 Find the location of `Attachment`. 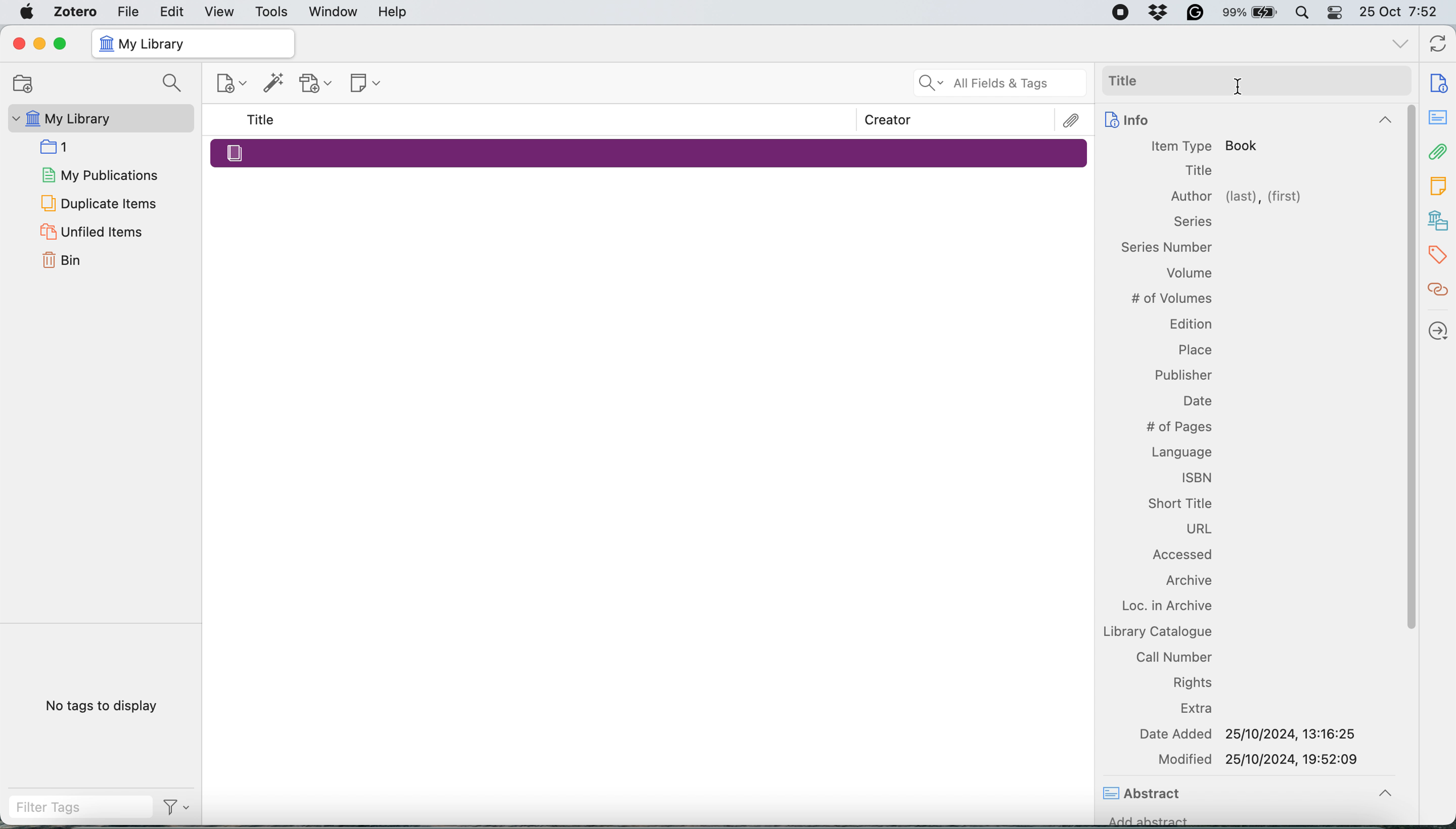

Attachment is located at coordinates (1439, 151).